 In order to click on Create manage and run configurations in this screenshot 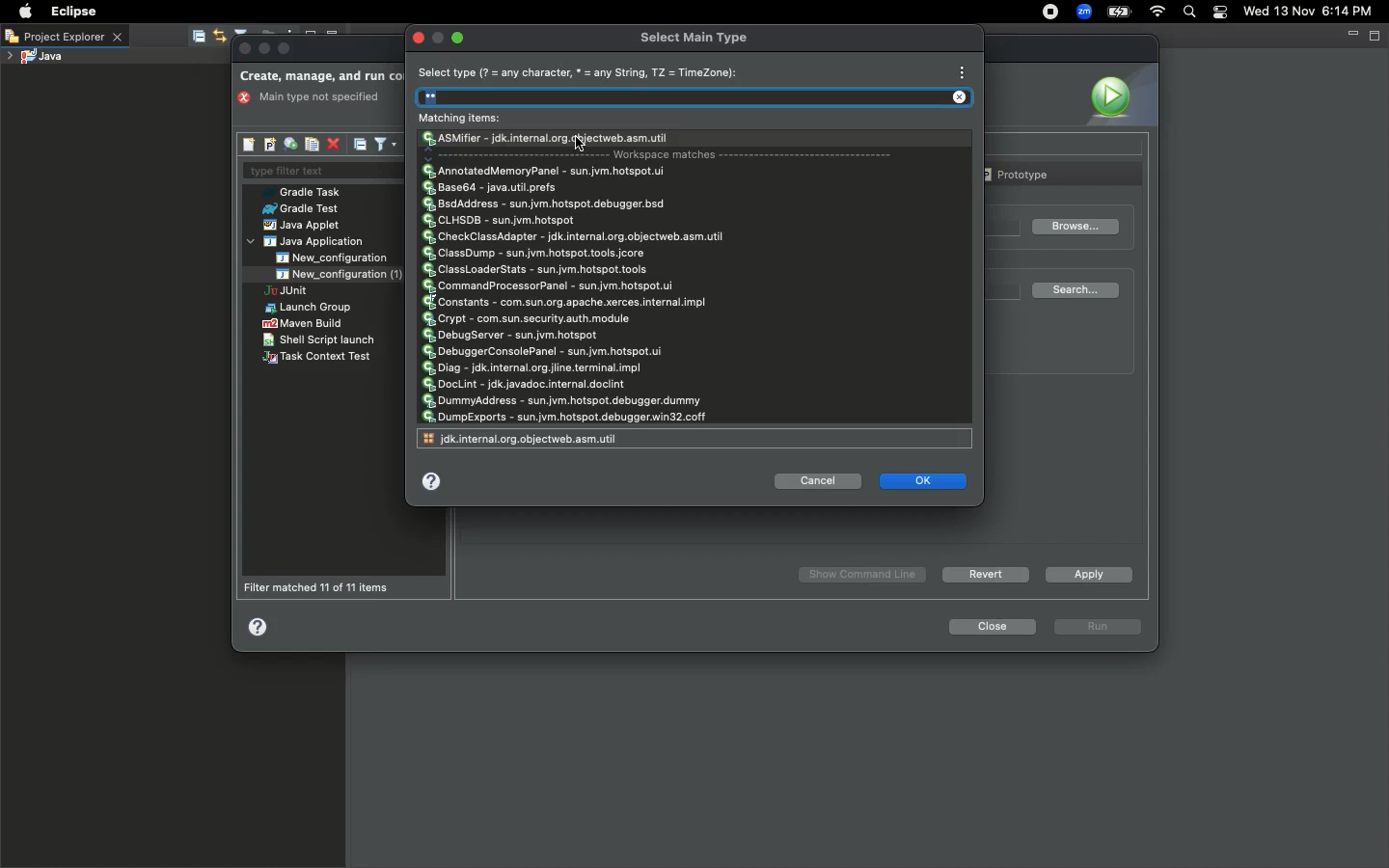, I will do `click(321, 77)`.